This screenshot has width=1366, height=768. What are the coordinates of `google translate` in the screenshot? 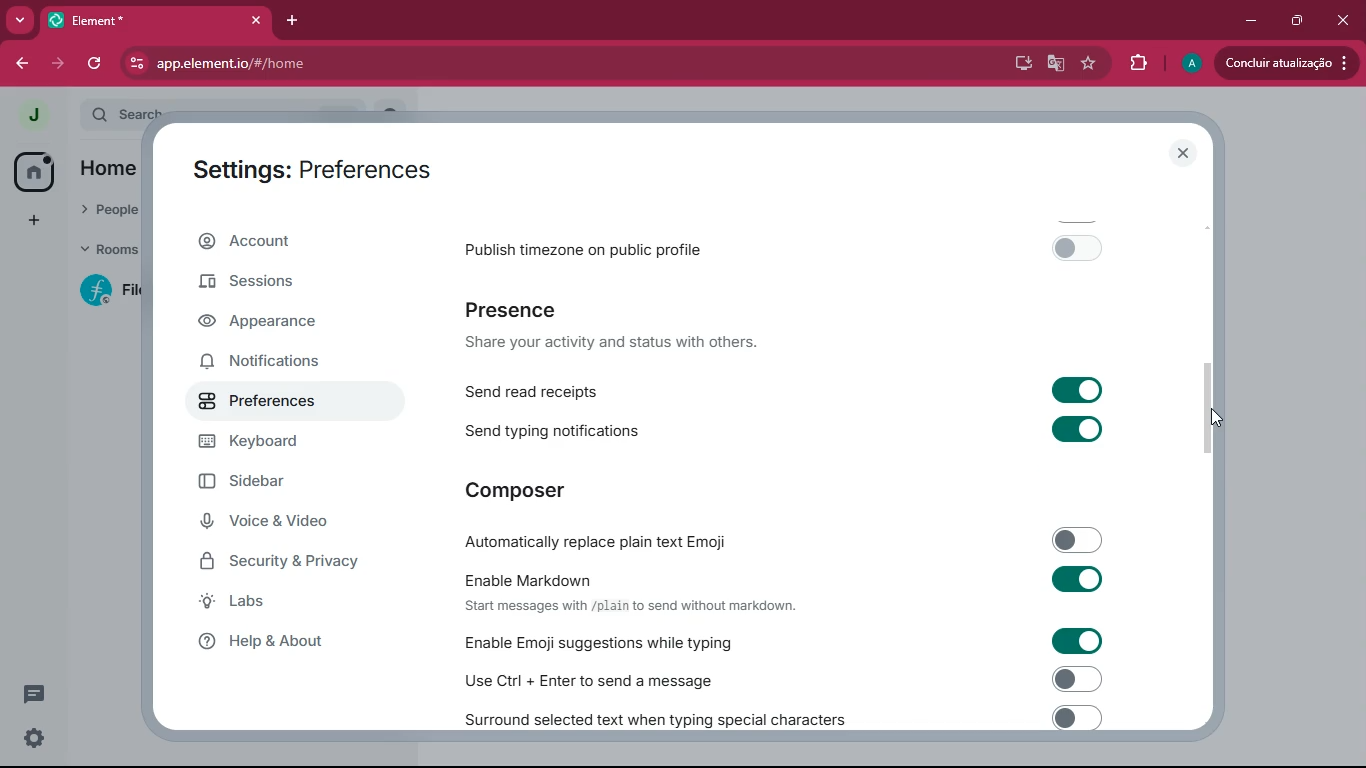 It's located at (1056, 65).